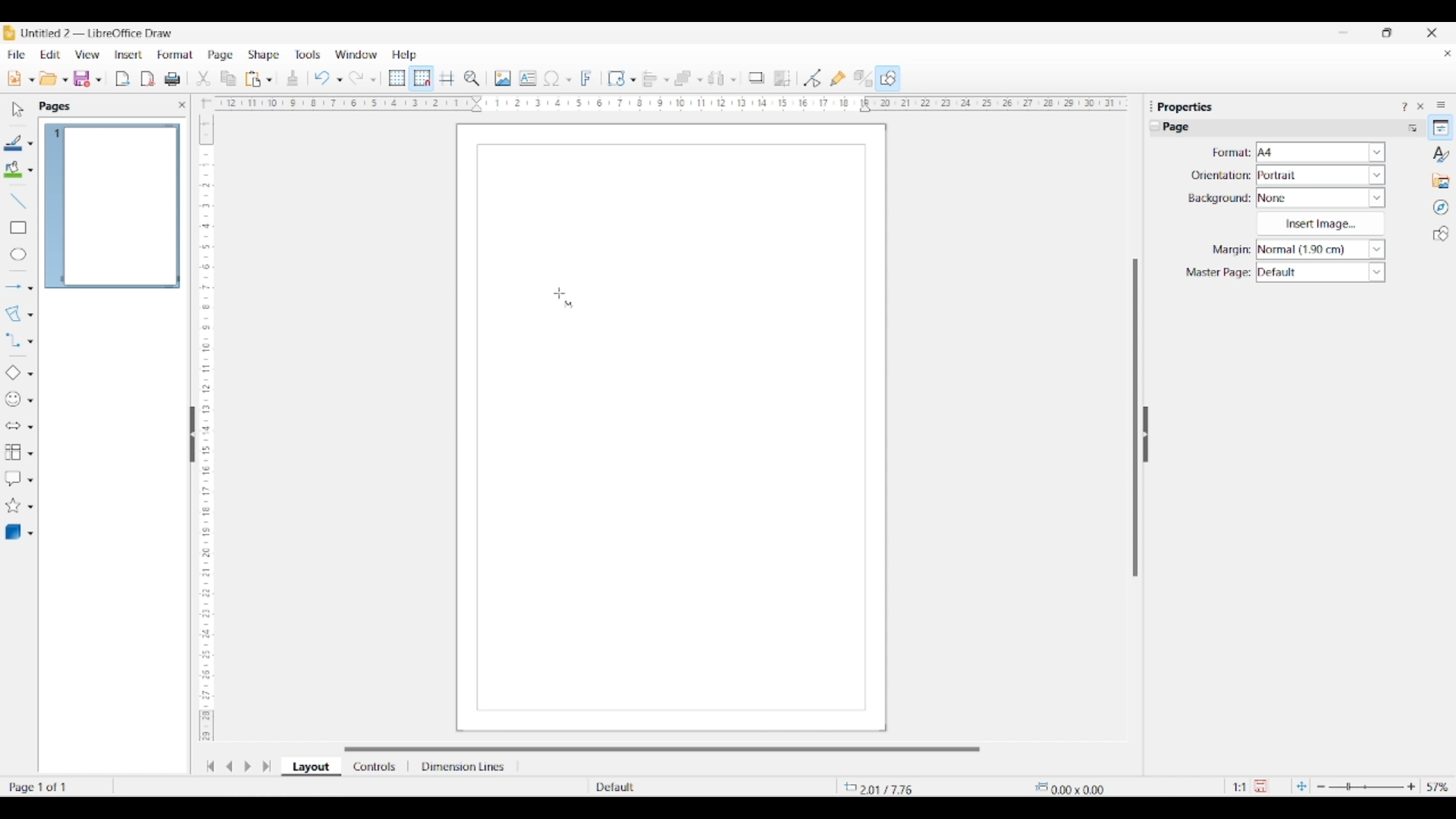 This screenshot has height=819, width=1456. Describe the element at coordinates (13, 506) in the screenshot. I see `Selected star` at that location.